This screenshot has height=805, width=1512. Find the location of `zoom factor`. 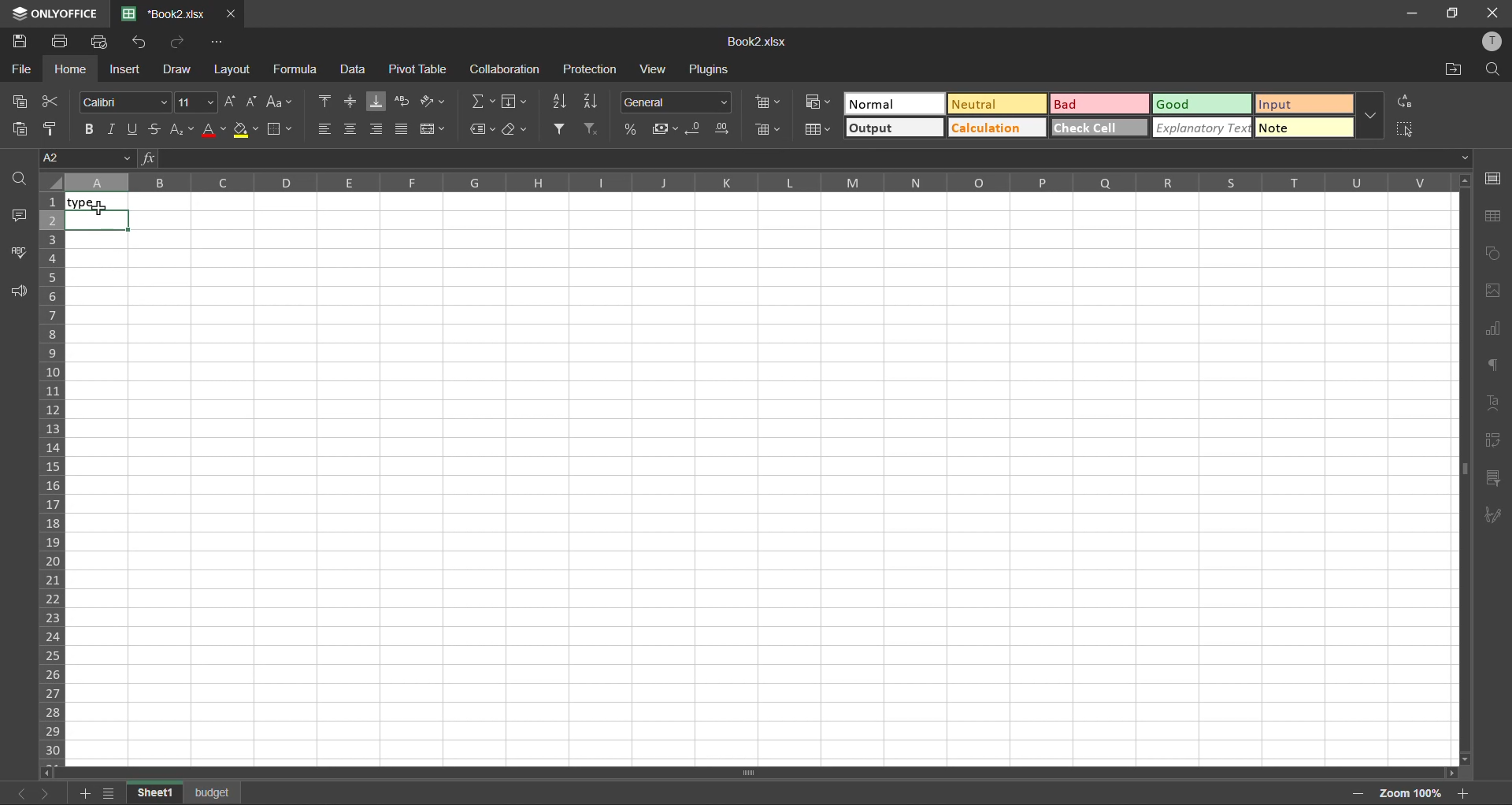

zoom factor is located at coordinates (1413, 795).